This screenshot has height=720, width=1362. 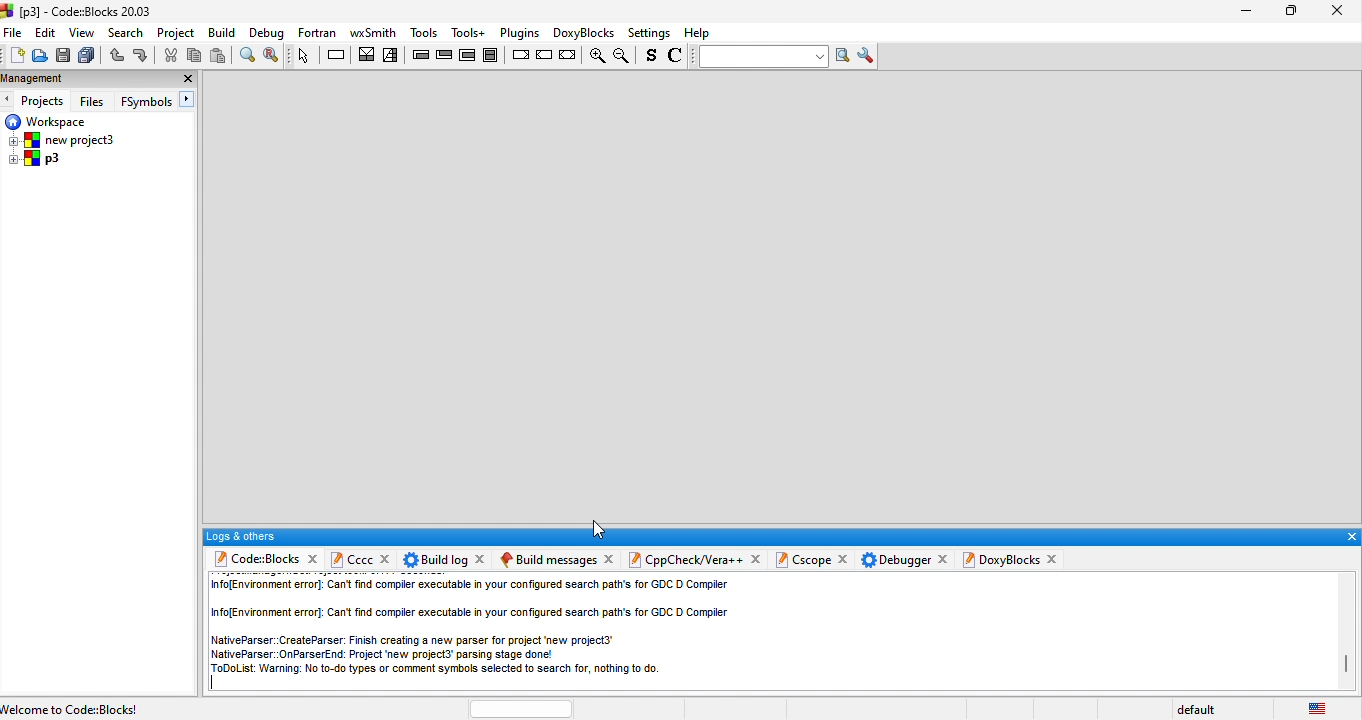 I want to click on block instruction, so click(x=494, y=55).